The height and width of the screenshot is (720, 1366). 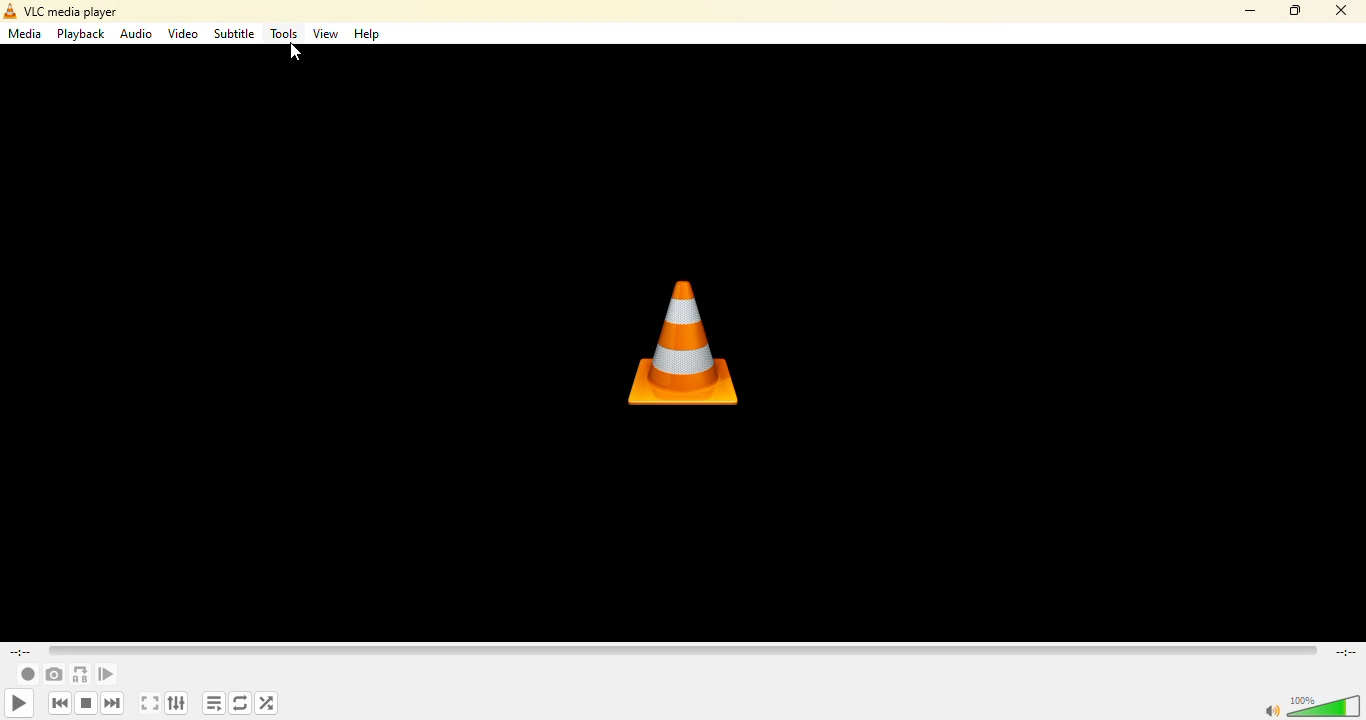 What do you see at coordinates (1346, 653) in the screenshot?
I see `remaining time` at bounding box center [1346, 653].